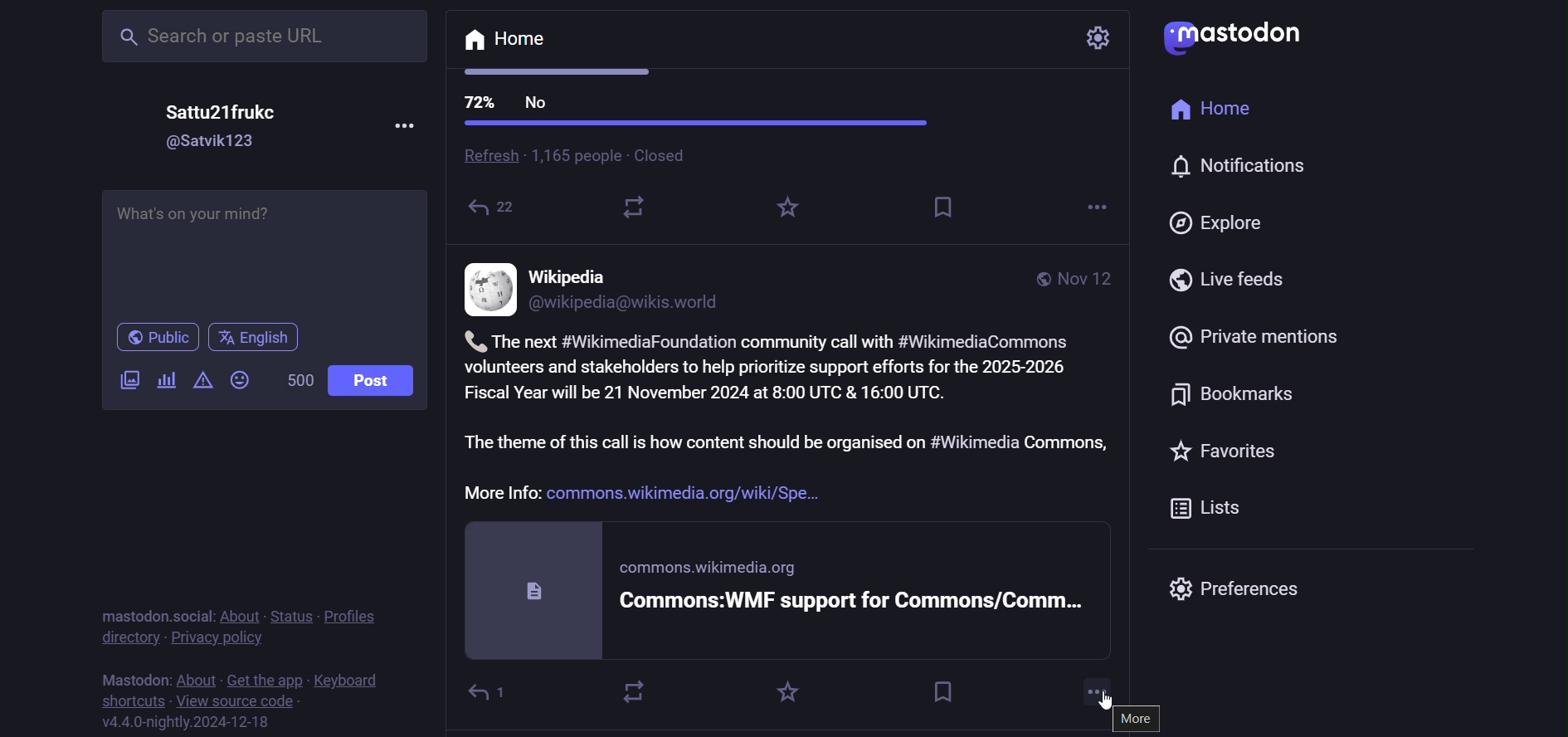 The width and height of the screenshot is (1568, 737). What do you see at coordinates (126, 700) in the screenshot?
I see `shortcut` at bounding box center [126, 700].